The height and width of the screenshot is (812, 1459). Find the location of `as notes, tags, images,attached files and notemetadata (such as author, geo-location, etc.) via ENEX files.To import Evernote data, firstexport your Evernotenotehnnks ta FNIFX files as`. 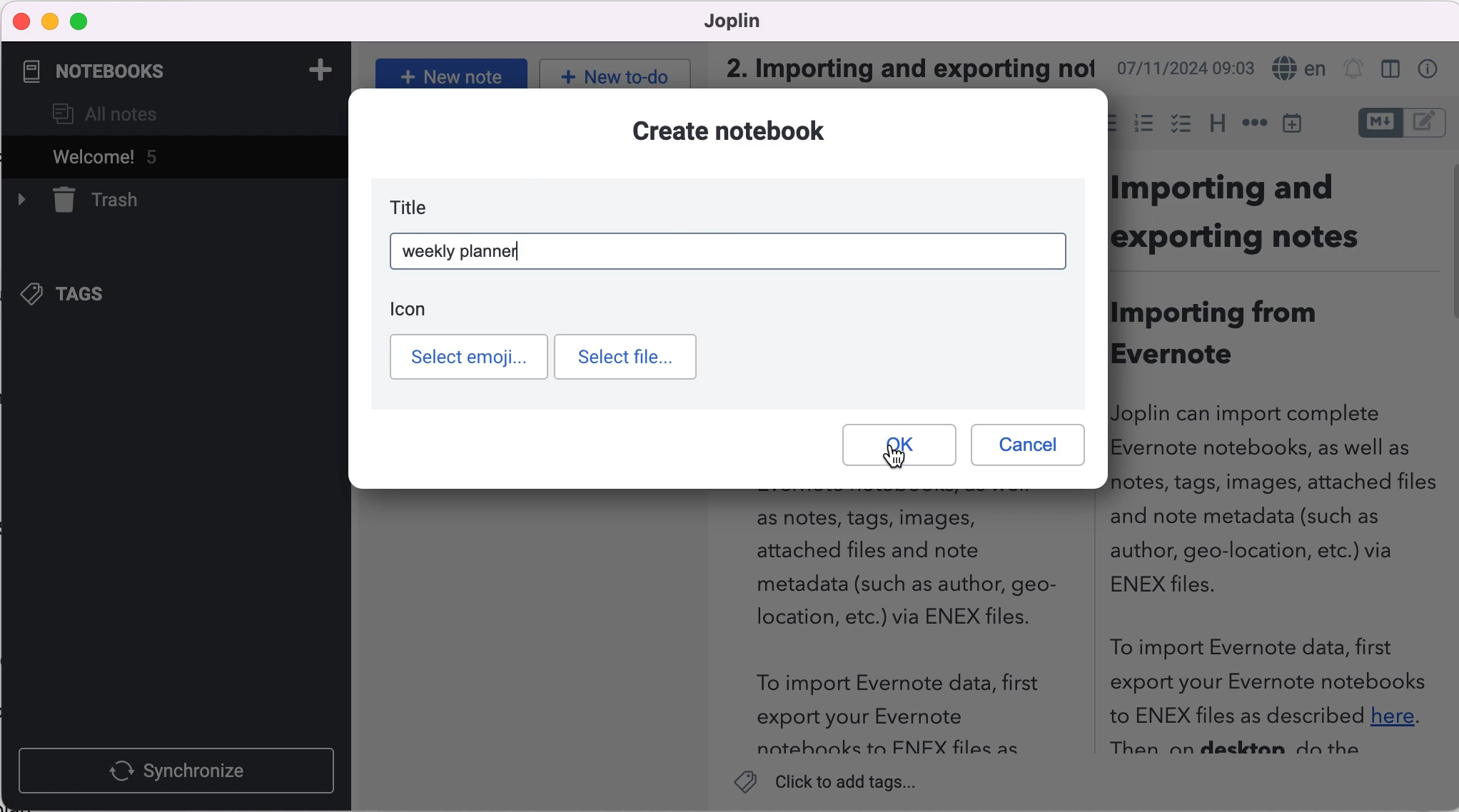

as notes, tags, images,attached files and notemetadata (such as author, geo-location, etc.) via ENEX files.To import Evernote data, firstexport your Evernotenotehnnks ta FNIFX files as is located at coordinates (887, 634).